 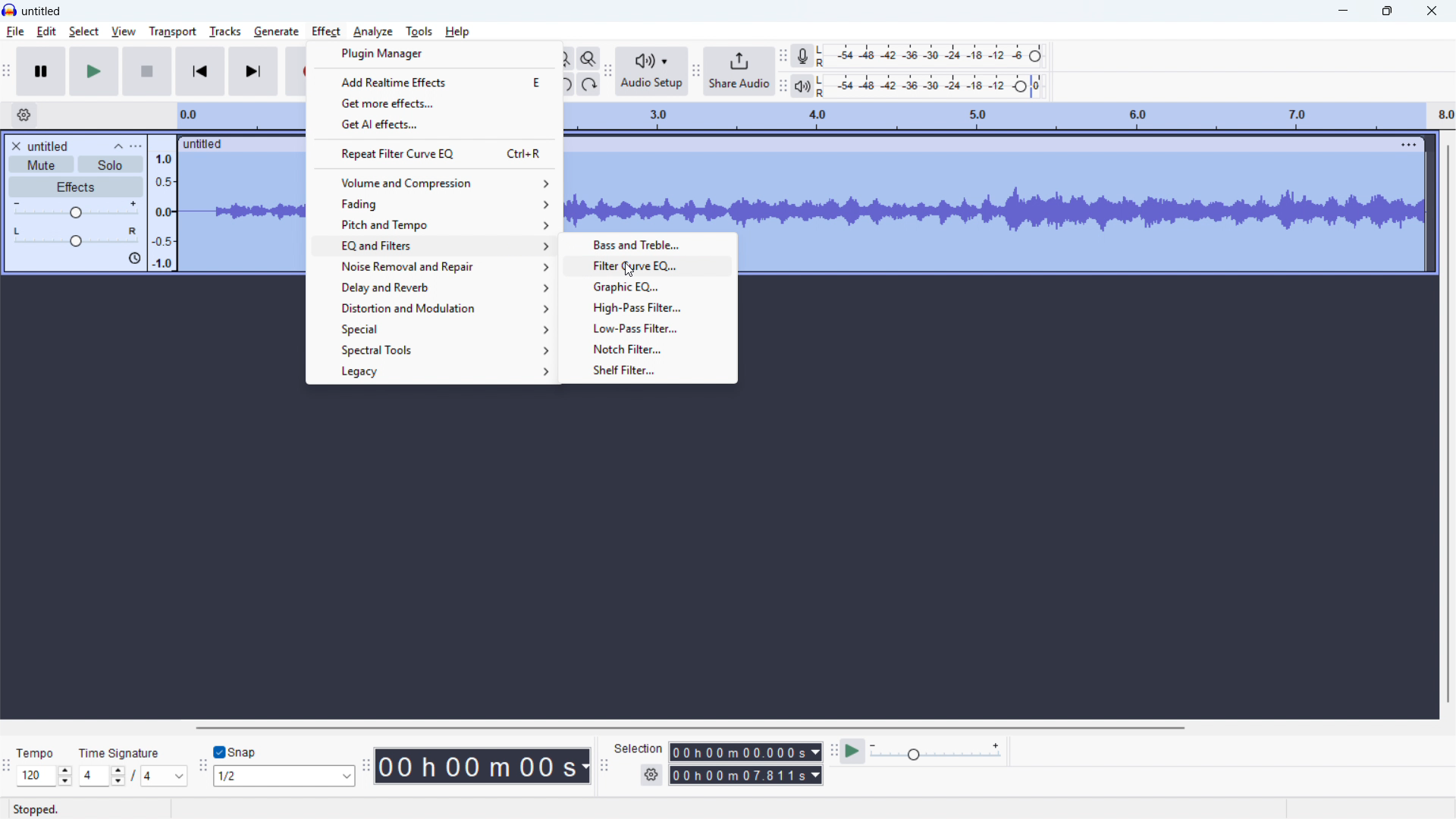 What do you see at coordinates (783, 55) in the screenshot?
I see `Recording metre toolbar ` at bounding box center [783, 55].